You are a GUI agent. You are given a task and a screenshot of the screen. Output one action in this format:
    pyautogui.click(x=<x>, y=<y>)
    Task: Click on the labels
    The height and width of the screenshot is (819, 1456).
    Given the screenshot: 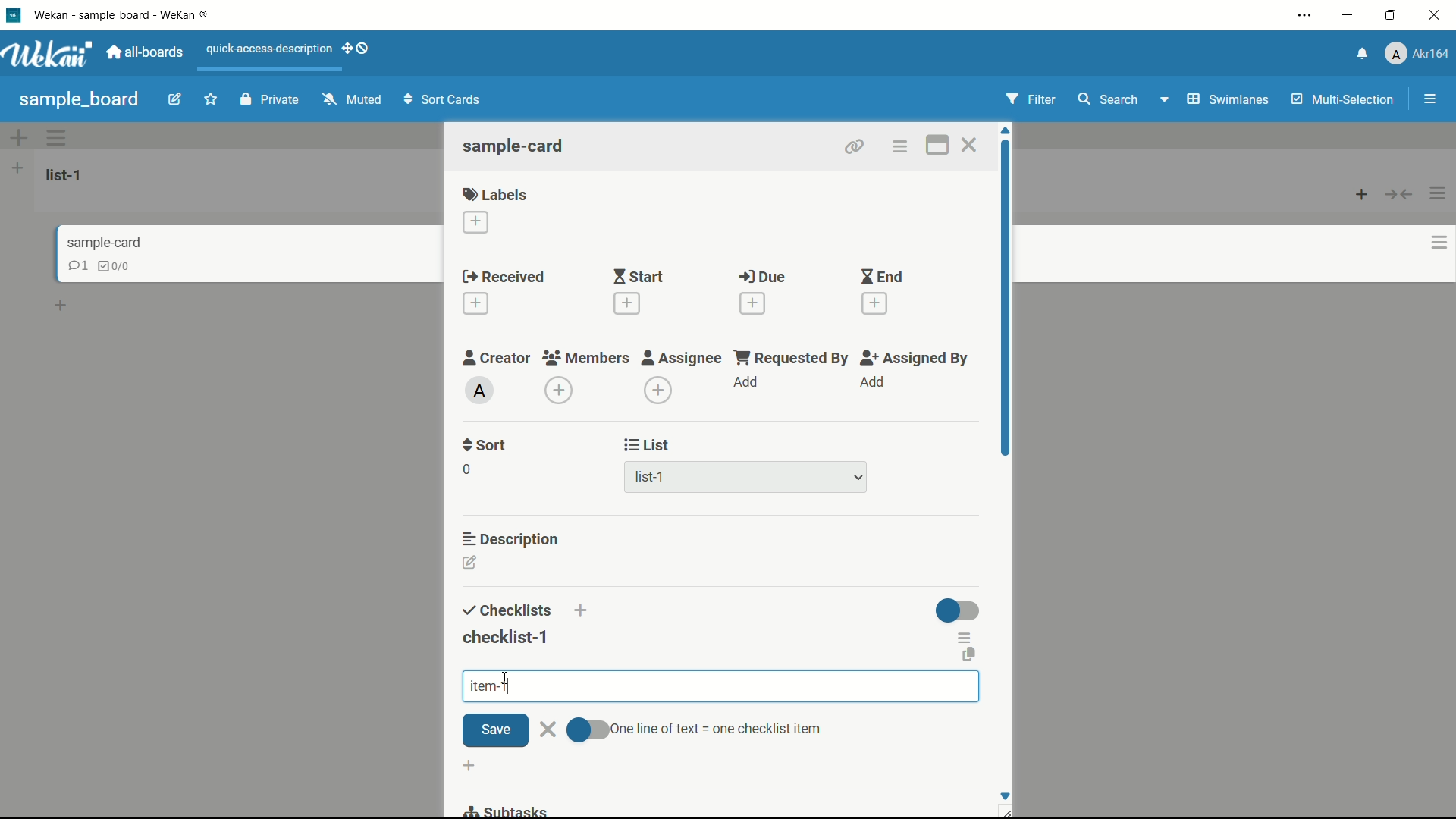 What is the action you would take?
    pyautogui.click(x=497, y=193)
    